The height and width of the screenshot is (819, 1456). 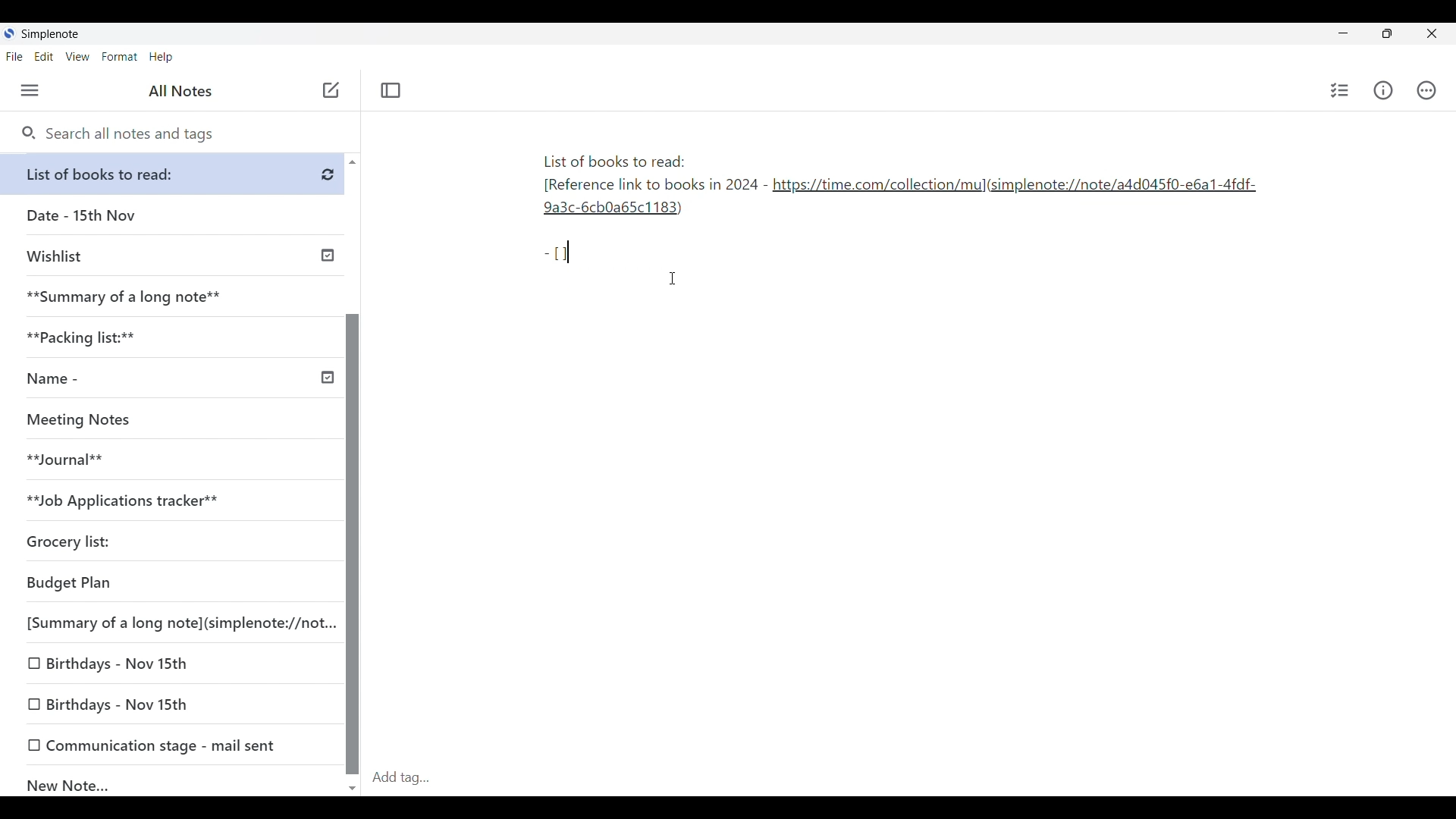 I want to click on Edit, so click(x=44, y=57).